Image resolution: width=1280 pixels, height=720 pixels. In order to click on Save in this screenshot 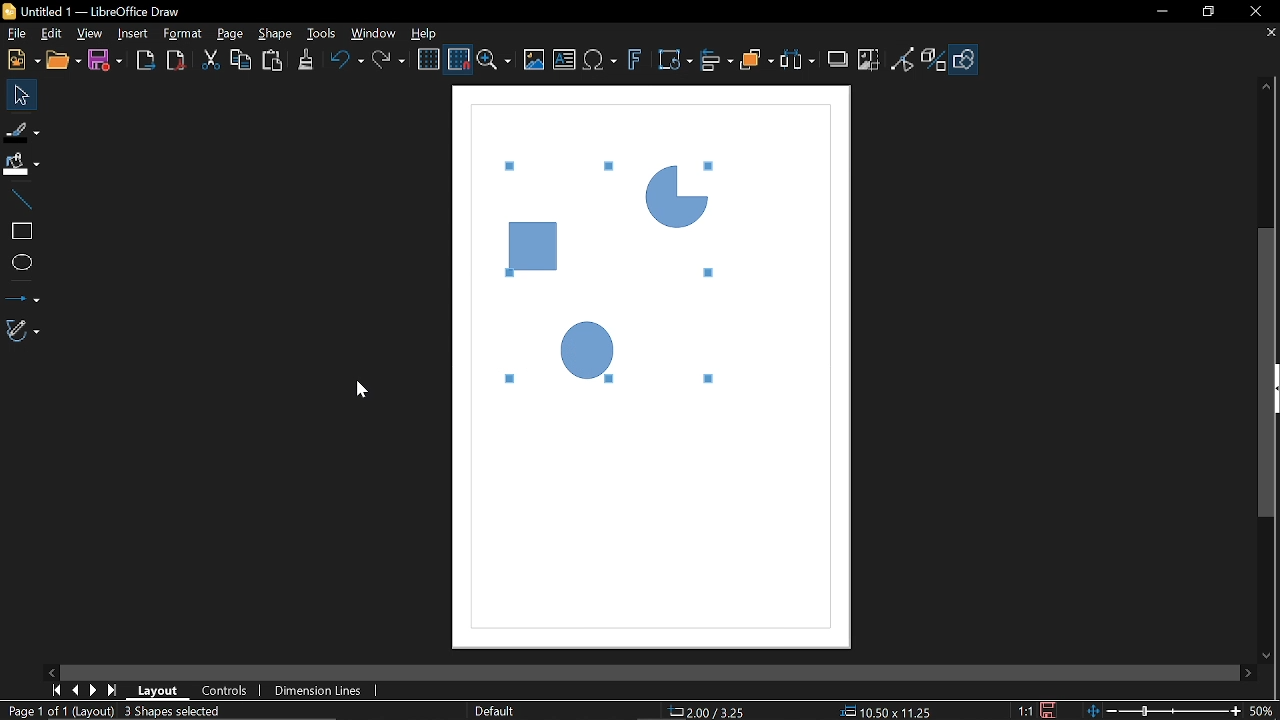, I will do `click(1047, 710)`.